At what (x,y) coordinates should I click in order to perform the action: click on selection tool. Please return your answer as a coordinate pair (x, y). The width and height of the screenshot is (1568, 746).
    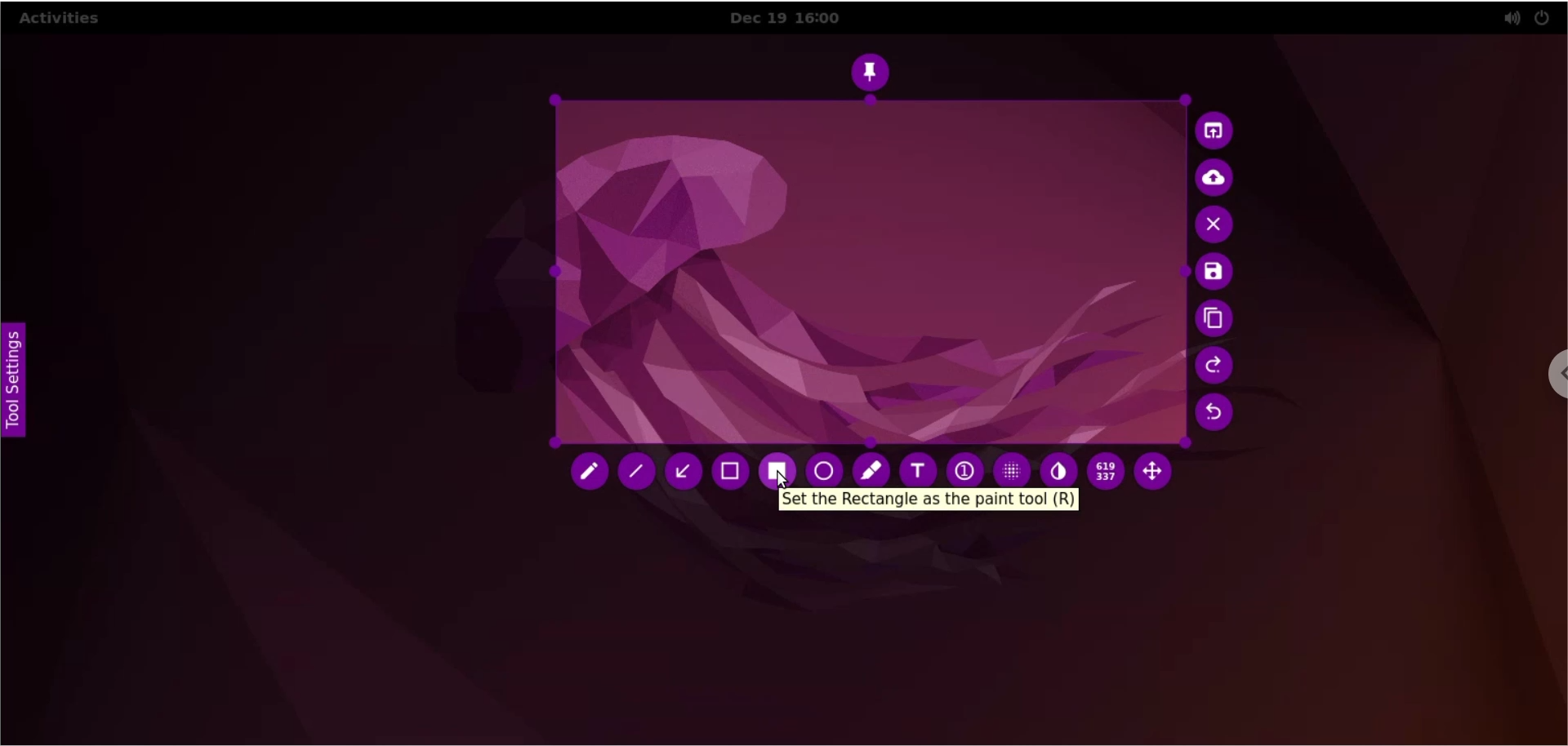
    Looking at the image, I should click on (733, 474).